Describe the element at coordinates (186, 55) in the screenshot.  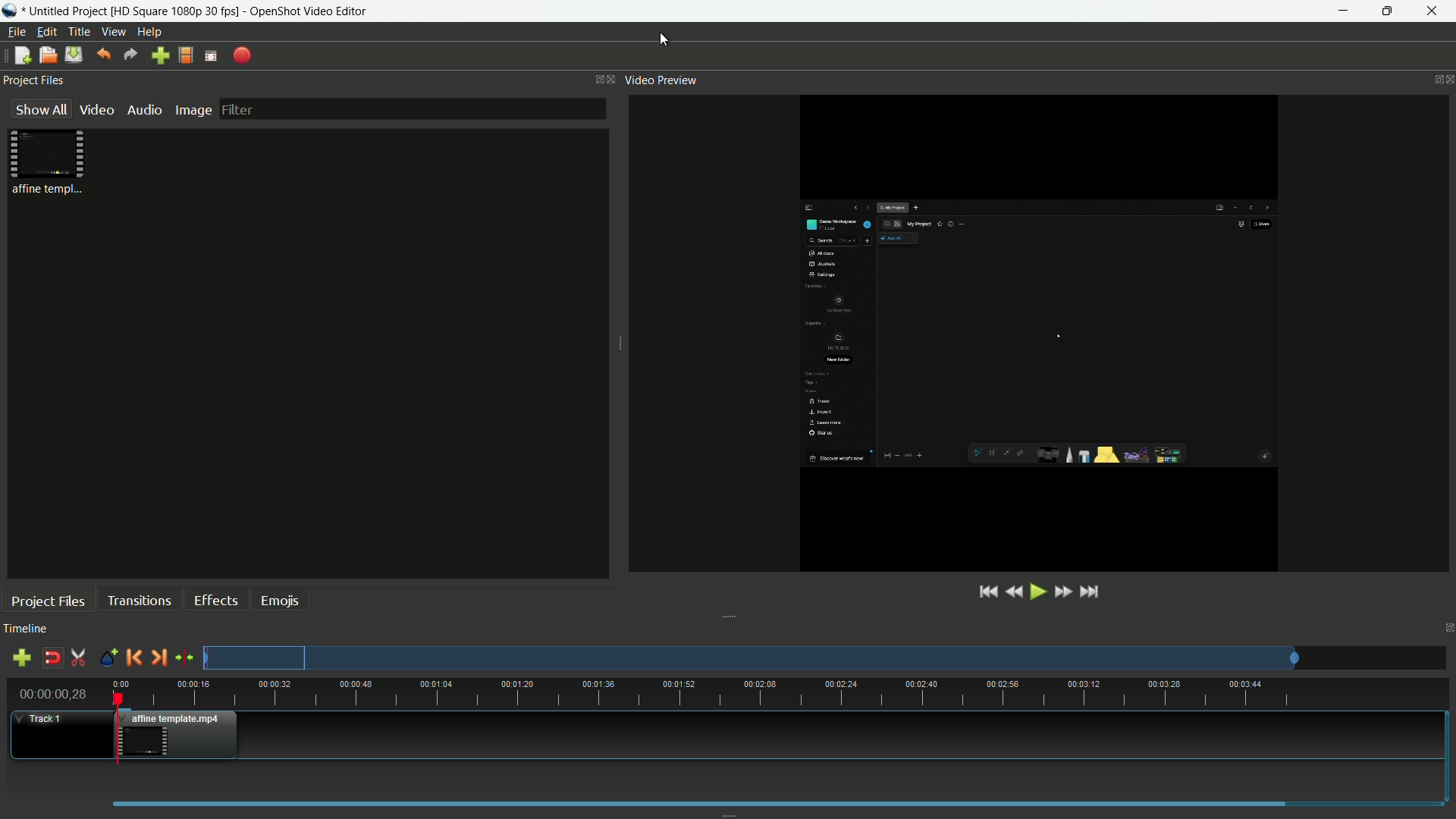
I see `profile` at that location.